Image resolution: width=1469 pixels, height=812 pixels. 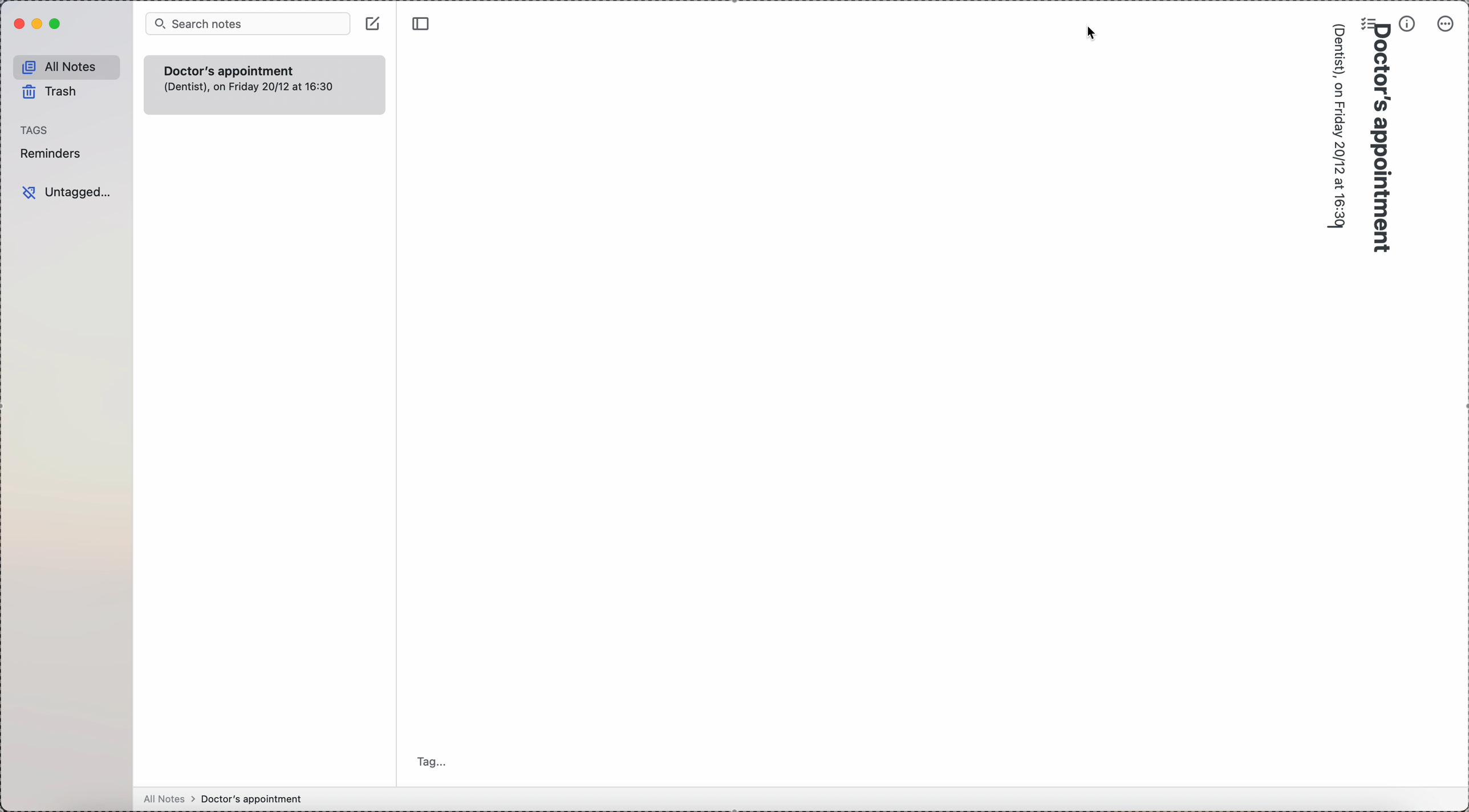 I want to click on (D, so click(x=1340, y=27).